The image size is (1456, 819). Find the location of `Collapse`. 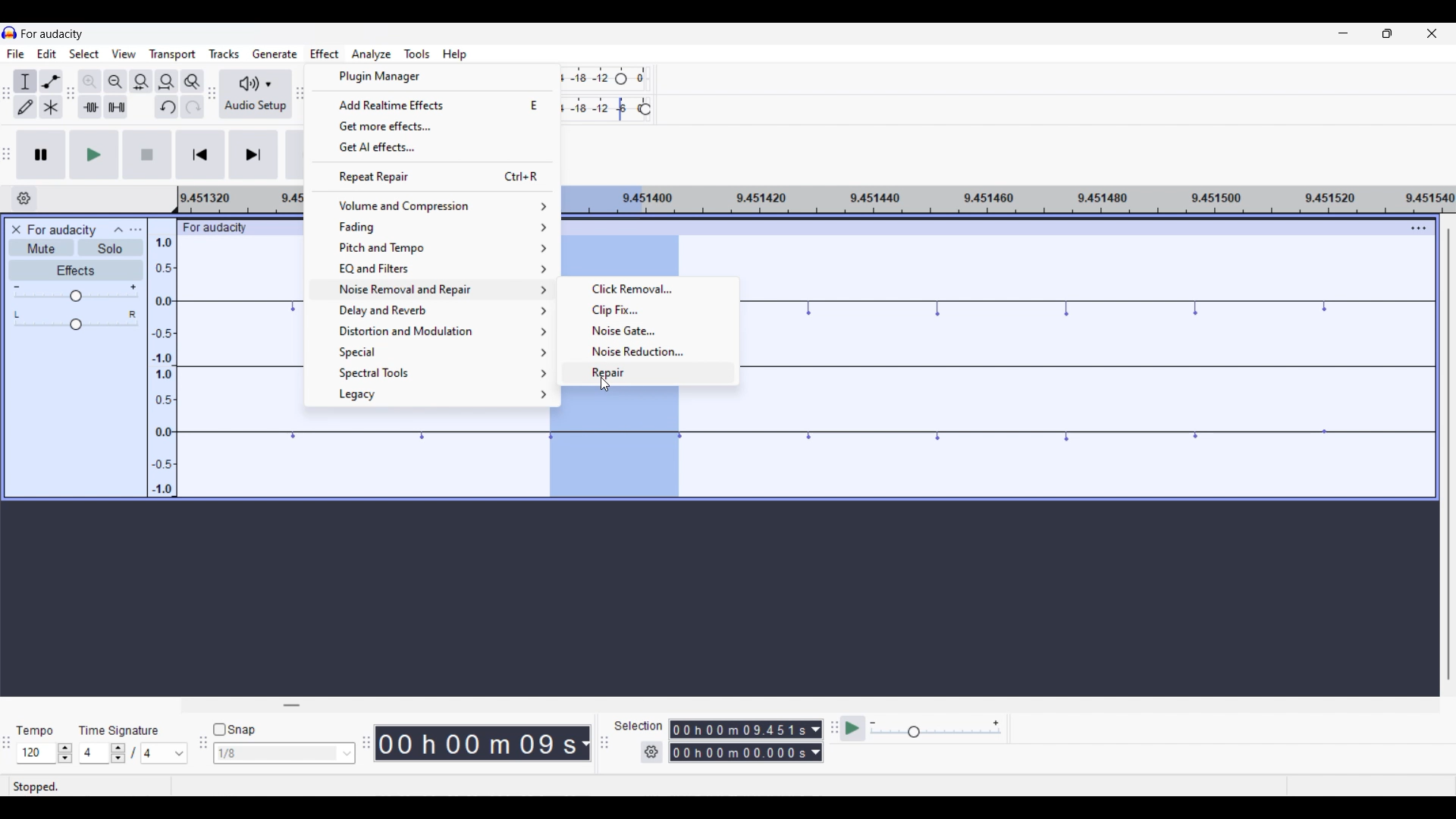

Collapse is located at coordinates (119, 230).